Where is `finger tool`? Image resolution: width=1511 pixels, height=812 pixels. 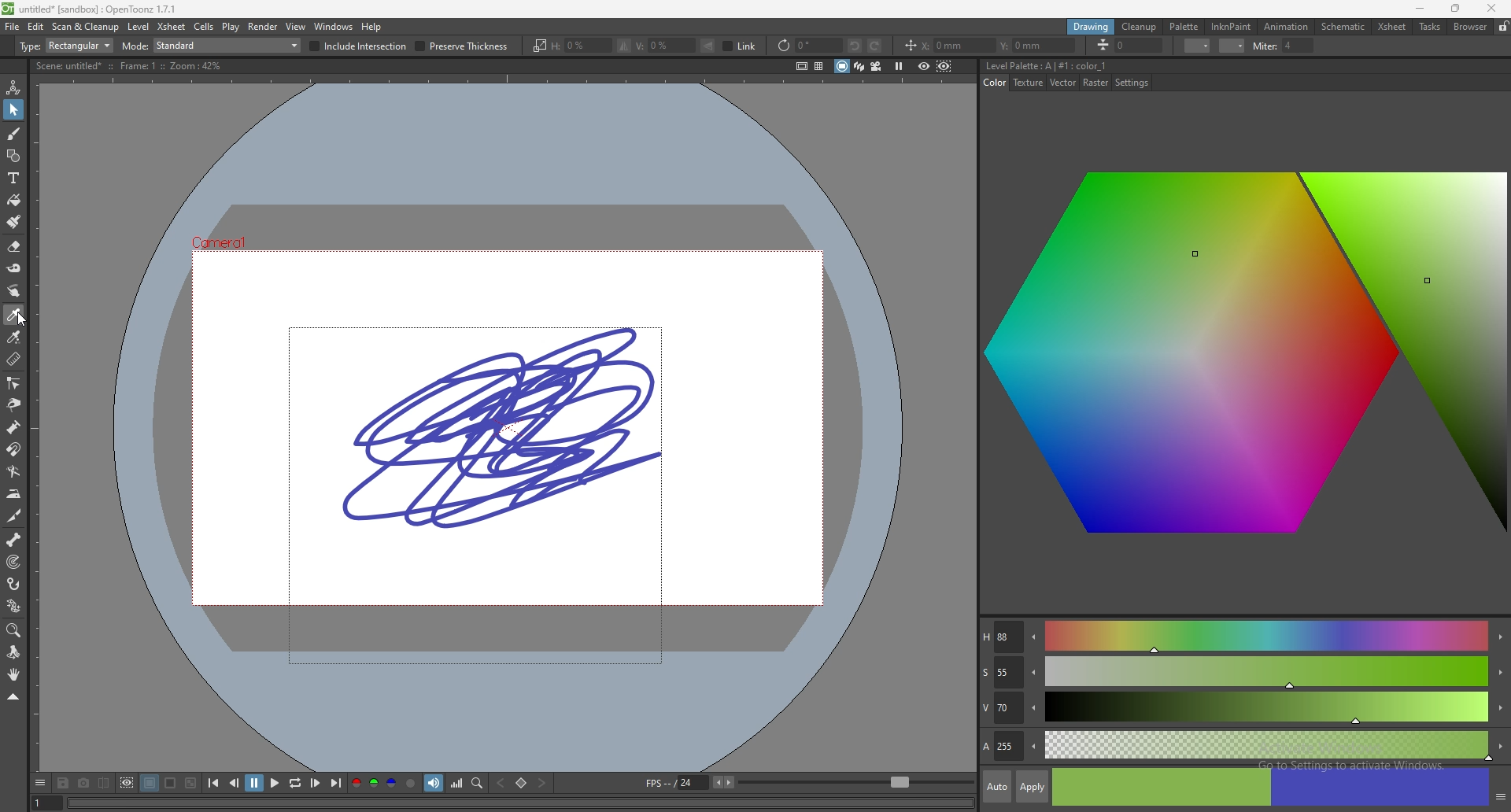
finger tool is located at coordinates (13, 290).